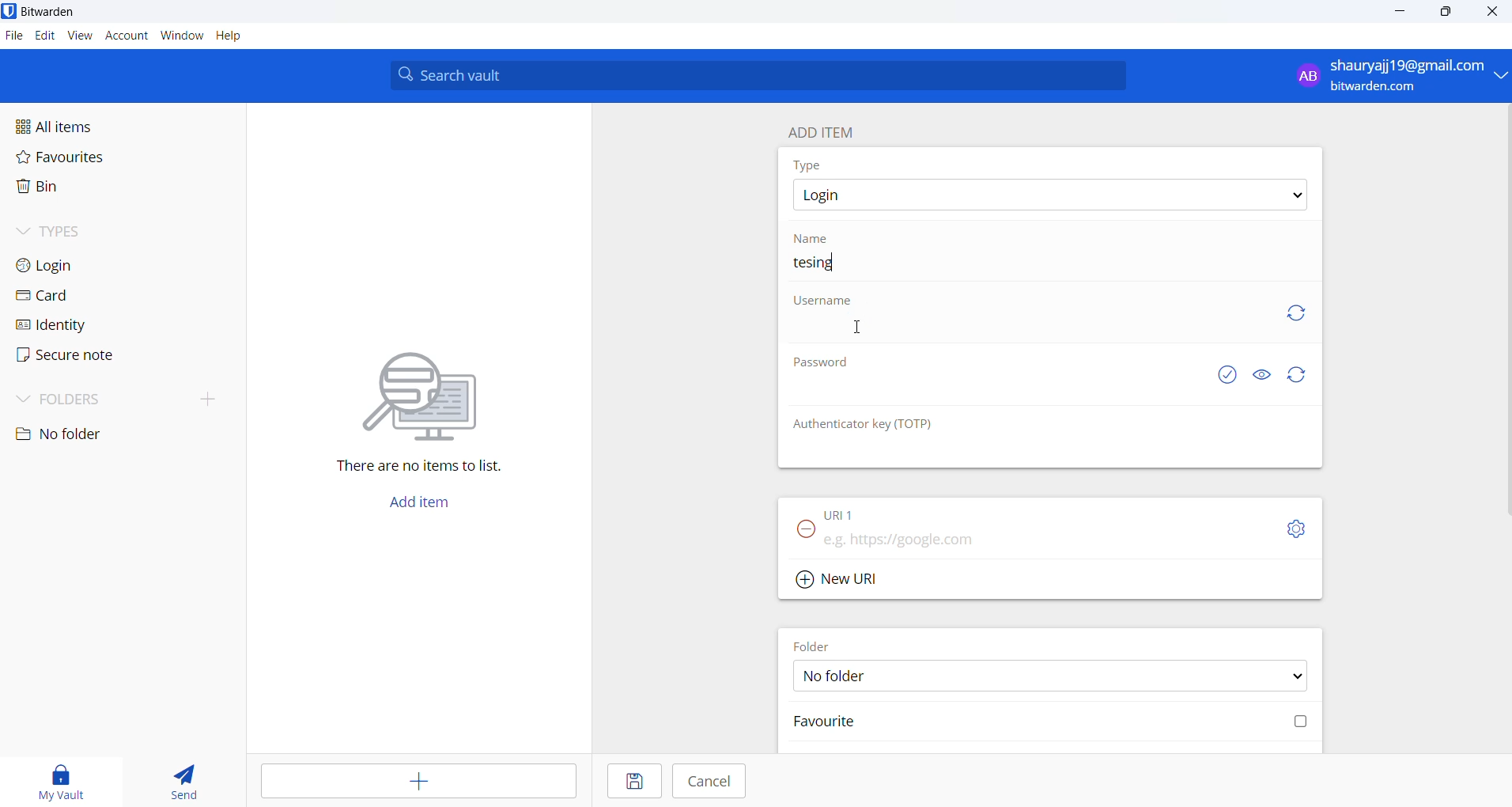  Describe the element at coordinates (428, 506) in the screenshot. I see `add item button` at that location.